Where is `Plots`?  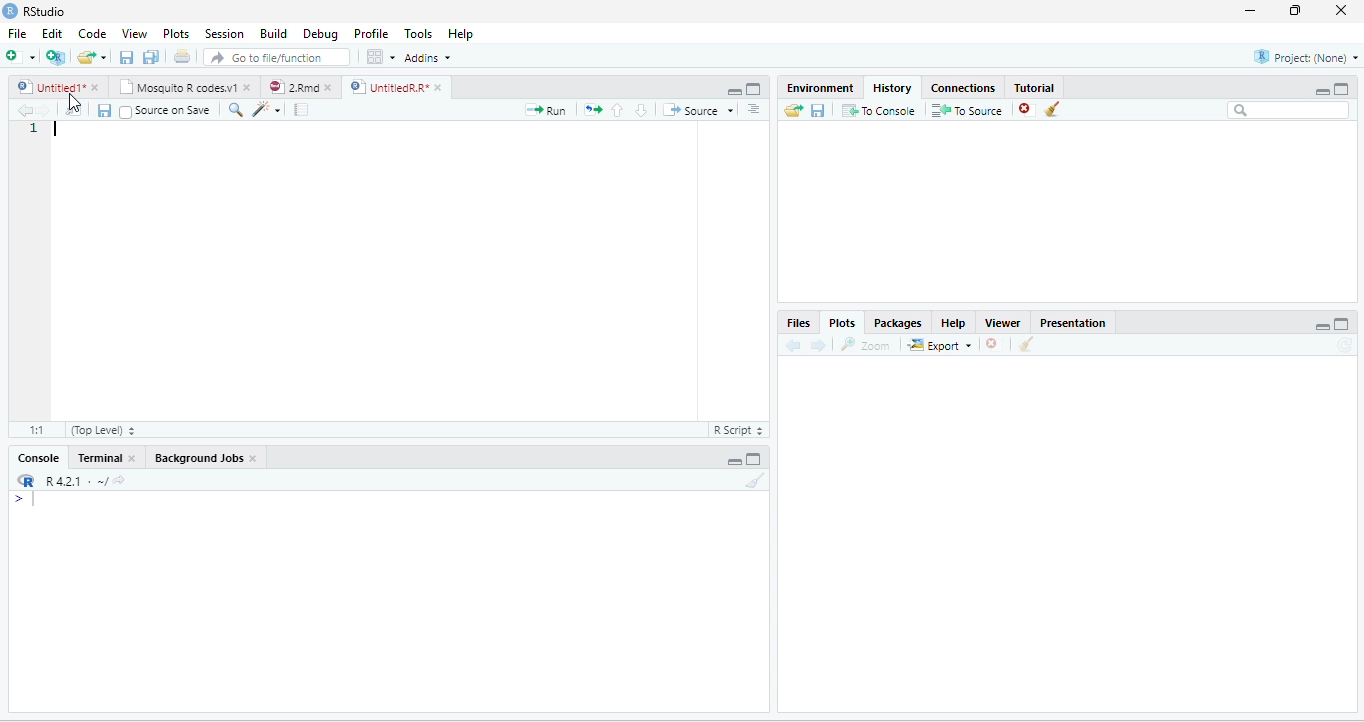
Plots is located at coordinates (176, 33).